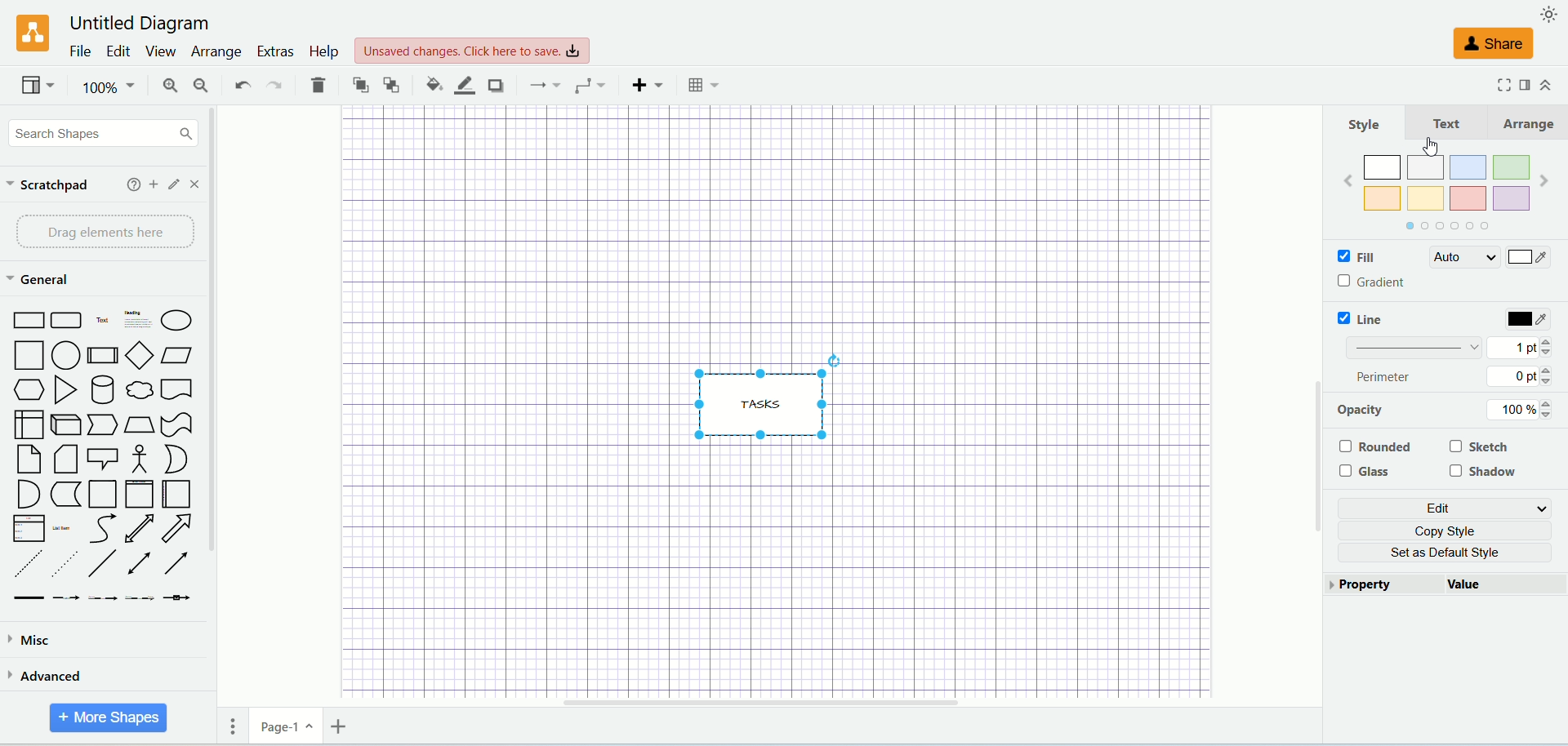  I want to click on format, so click(1526, 87).